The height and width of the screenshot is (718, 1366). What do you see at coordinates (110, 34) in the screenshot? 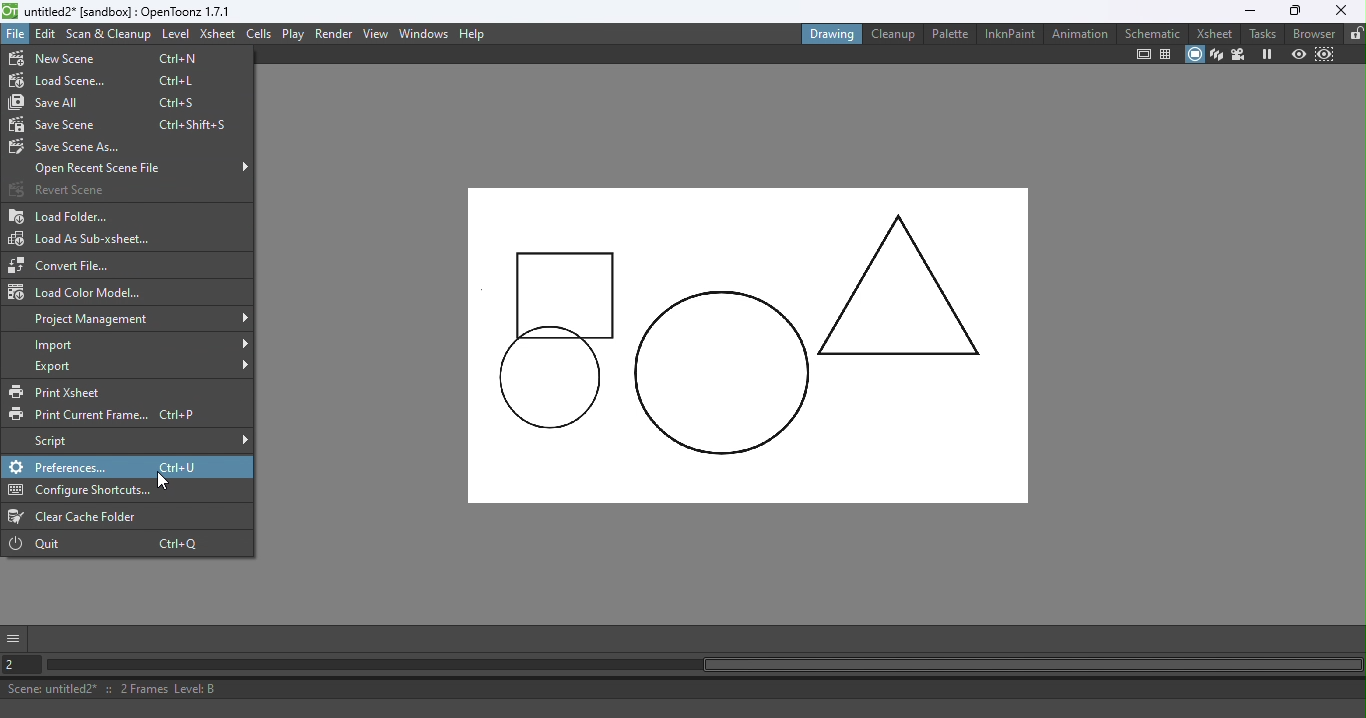
I see `Scan & Cleanup` at bounding box center [110, 34].